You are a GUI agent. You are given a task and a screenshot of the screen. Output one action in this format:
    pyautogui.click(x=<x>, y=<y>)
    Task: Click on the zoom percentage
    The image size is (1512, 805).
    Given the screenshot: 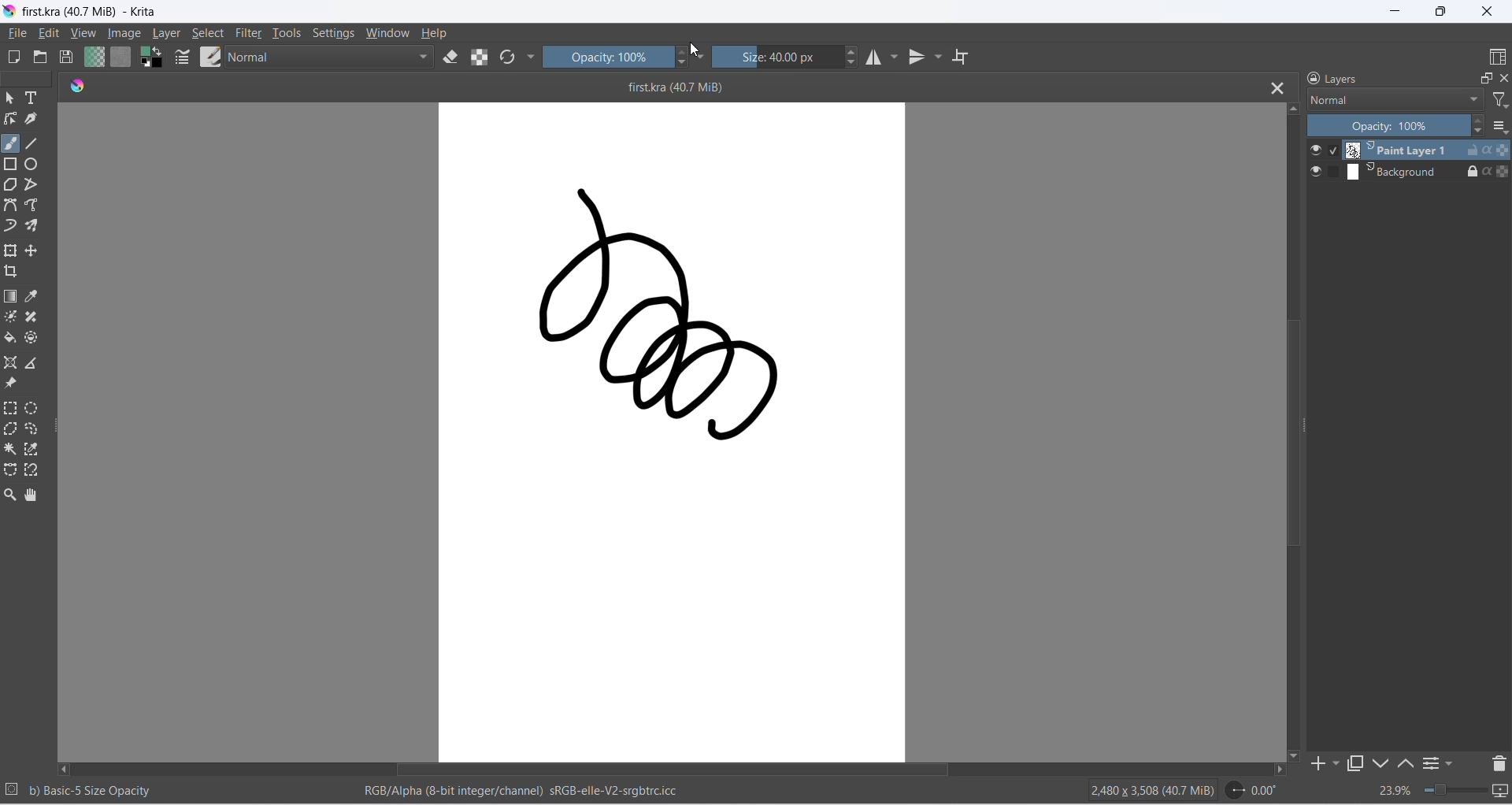 What is the action you would take?
    pyautogui.click(x=1395, y=790)
    